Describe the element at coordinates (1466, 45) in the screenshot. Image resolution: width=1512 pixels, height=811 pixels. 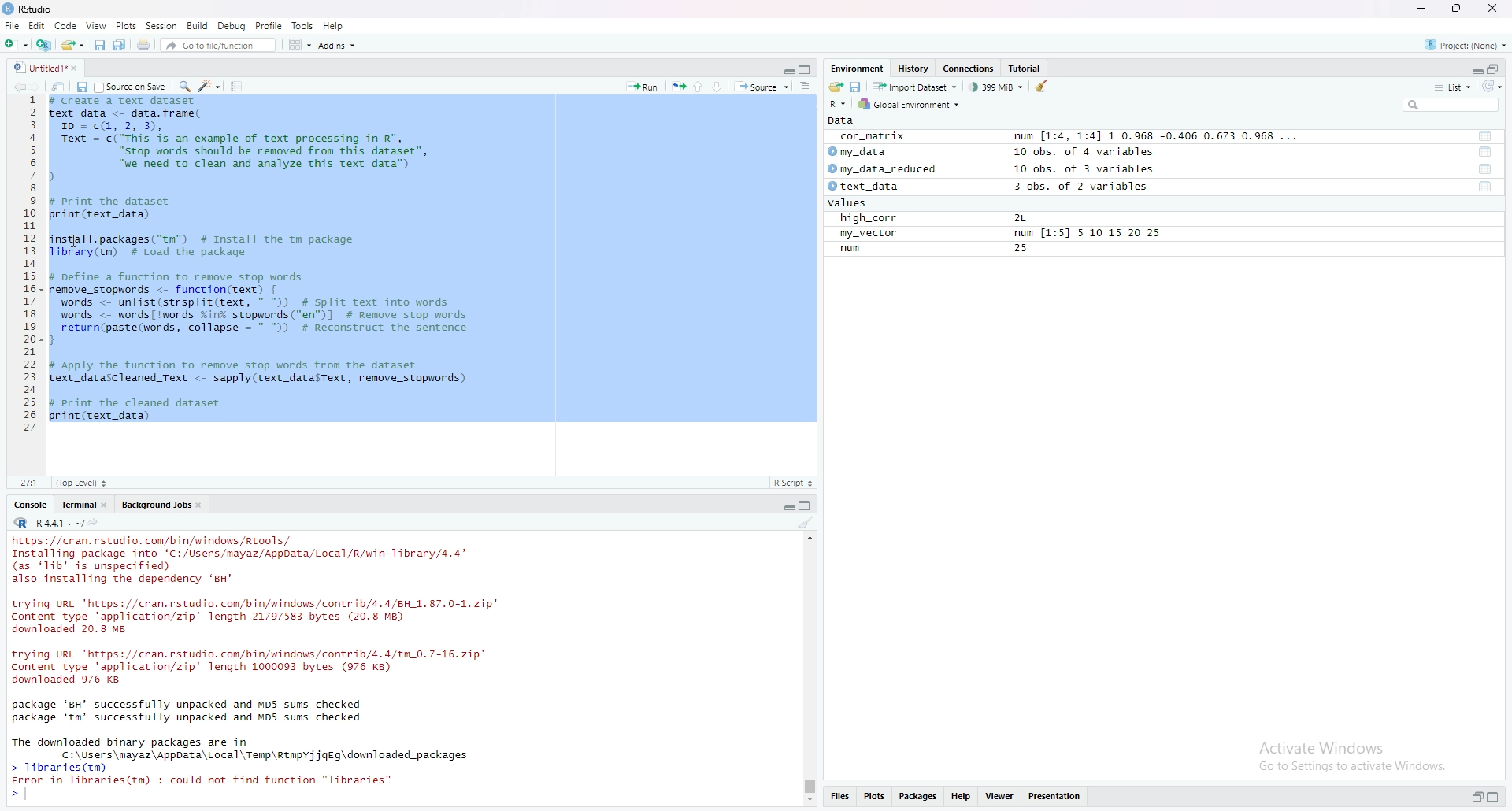
I see `project(None)` at that location.